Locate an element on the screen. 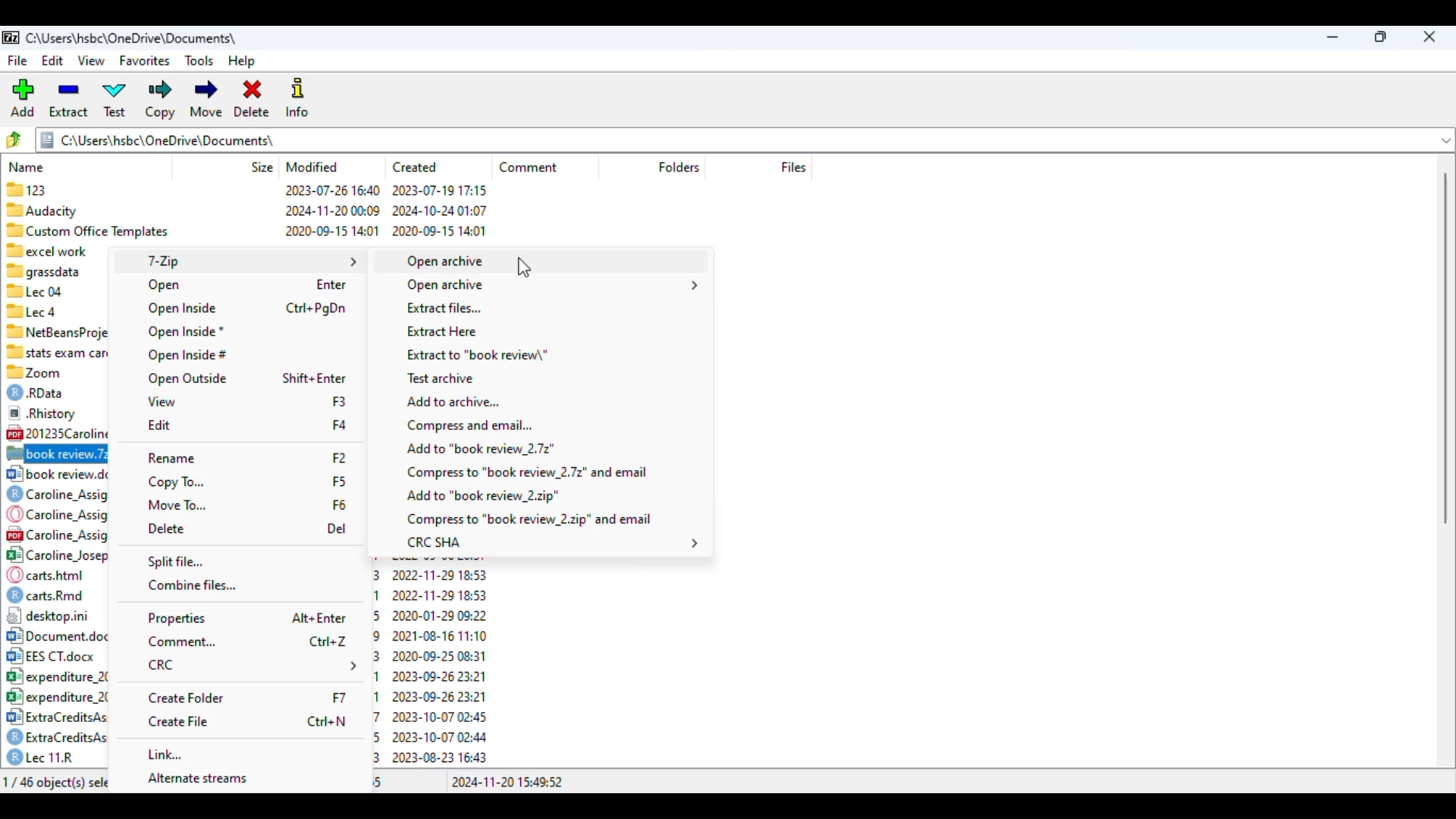  help is located at coordinates (242, 62).